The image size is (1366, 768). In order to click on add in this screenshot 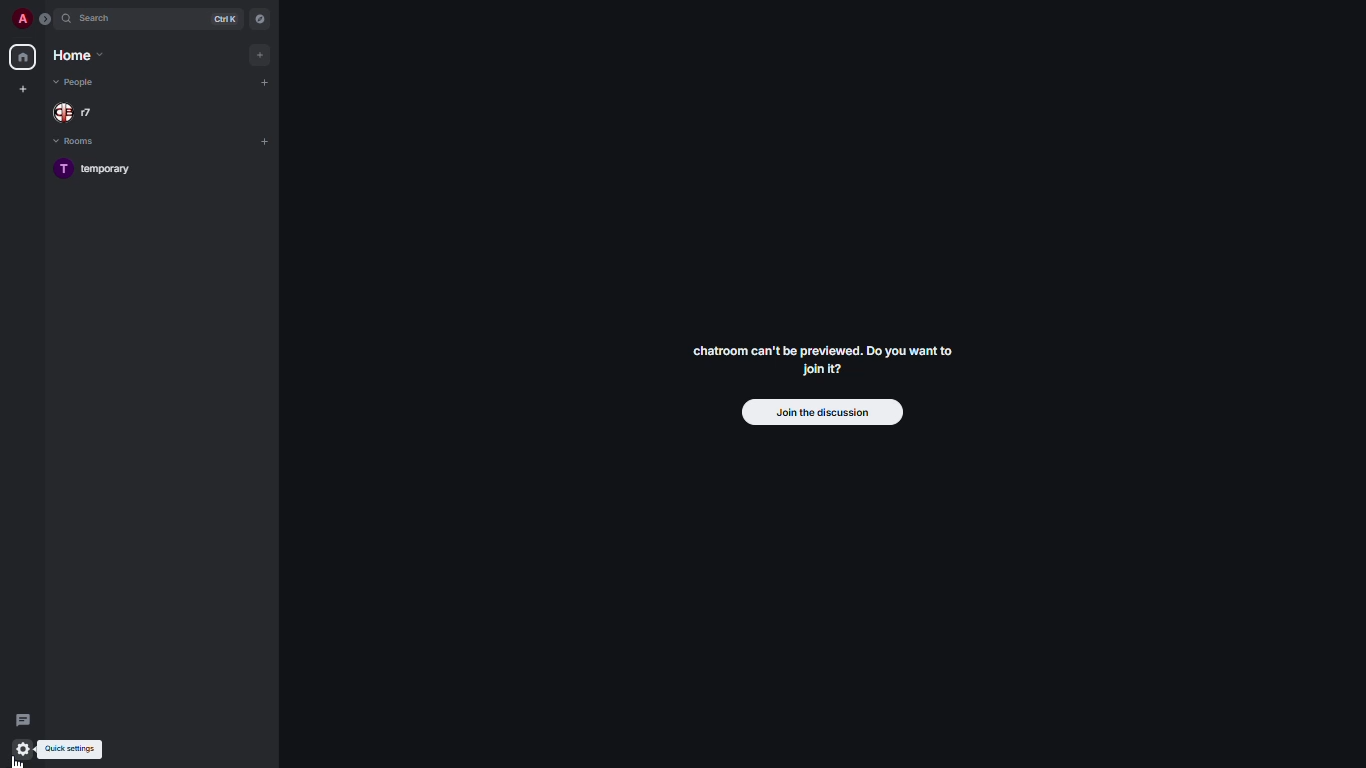, I will do `click(265, 83)`.